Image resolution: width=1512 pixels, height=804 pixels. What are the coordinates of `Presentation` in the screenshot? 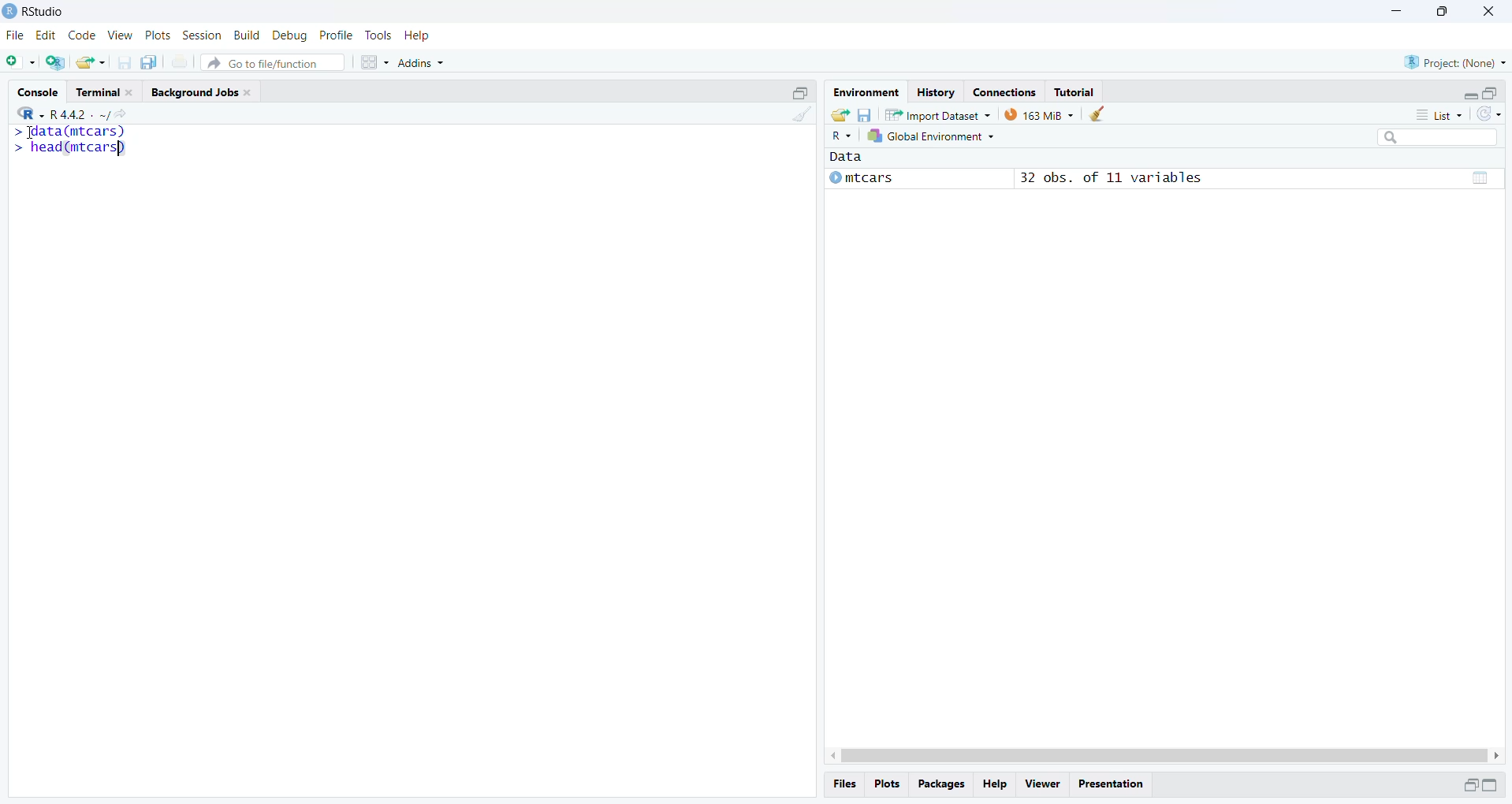 It's located at (1111, 785).